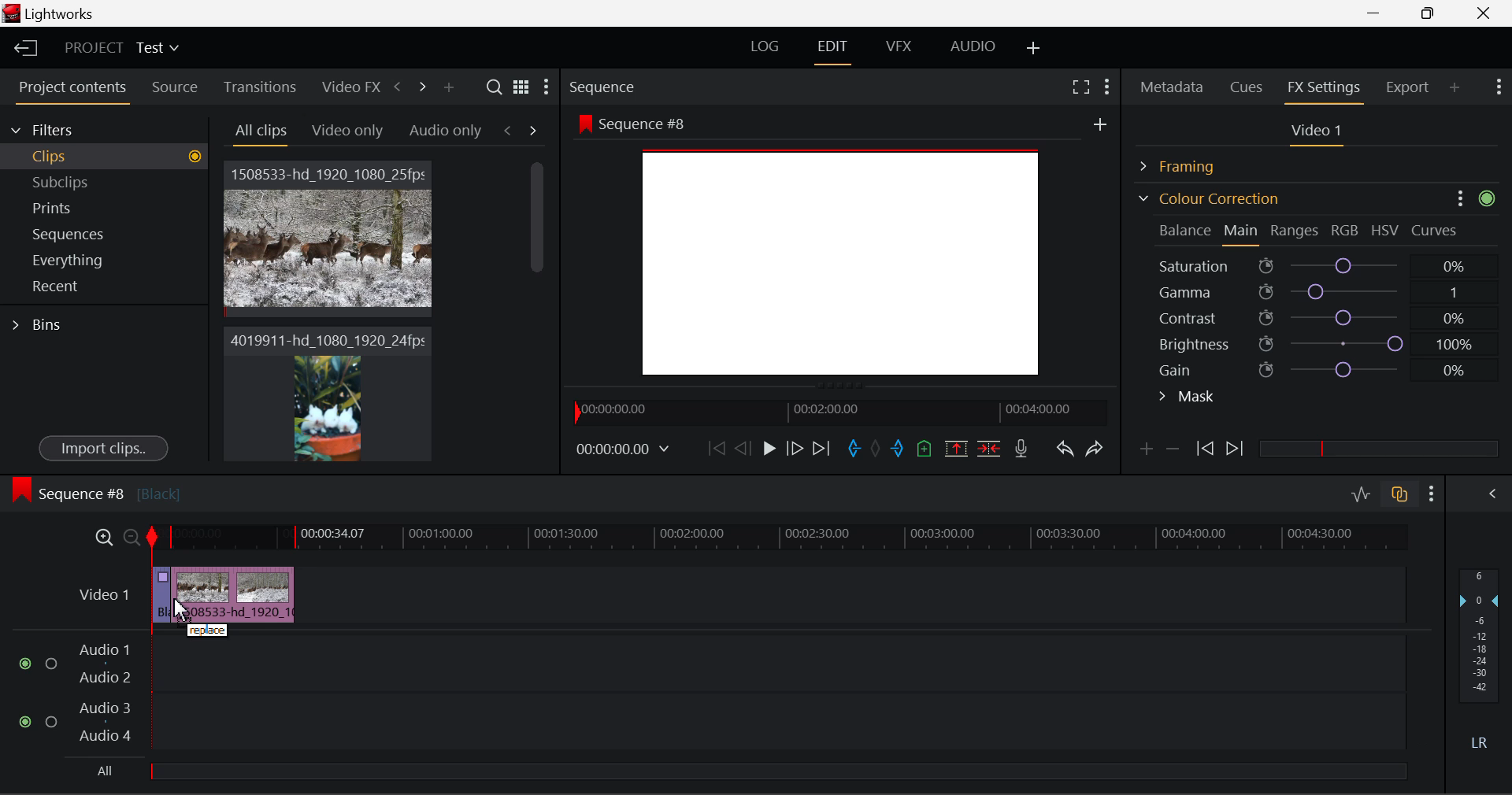 Image resolution: width=1512 pixels, height=795 pixels. I want to click on Mark In, so click(855, 449).